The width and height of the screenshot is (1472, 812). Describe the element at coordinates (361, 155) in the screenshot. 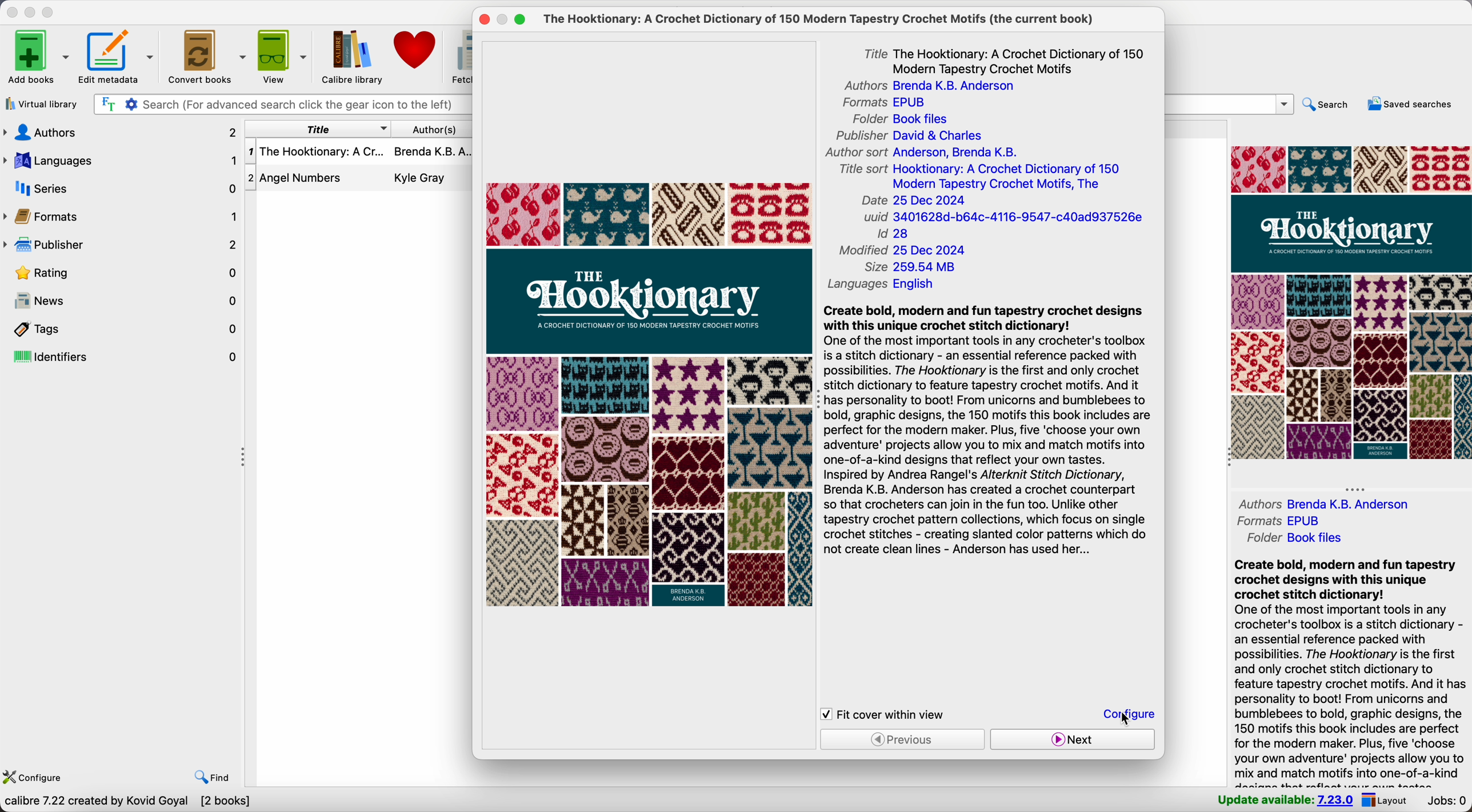

I see `The Hooktionary book details` at that location.